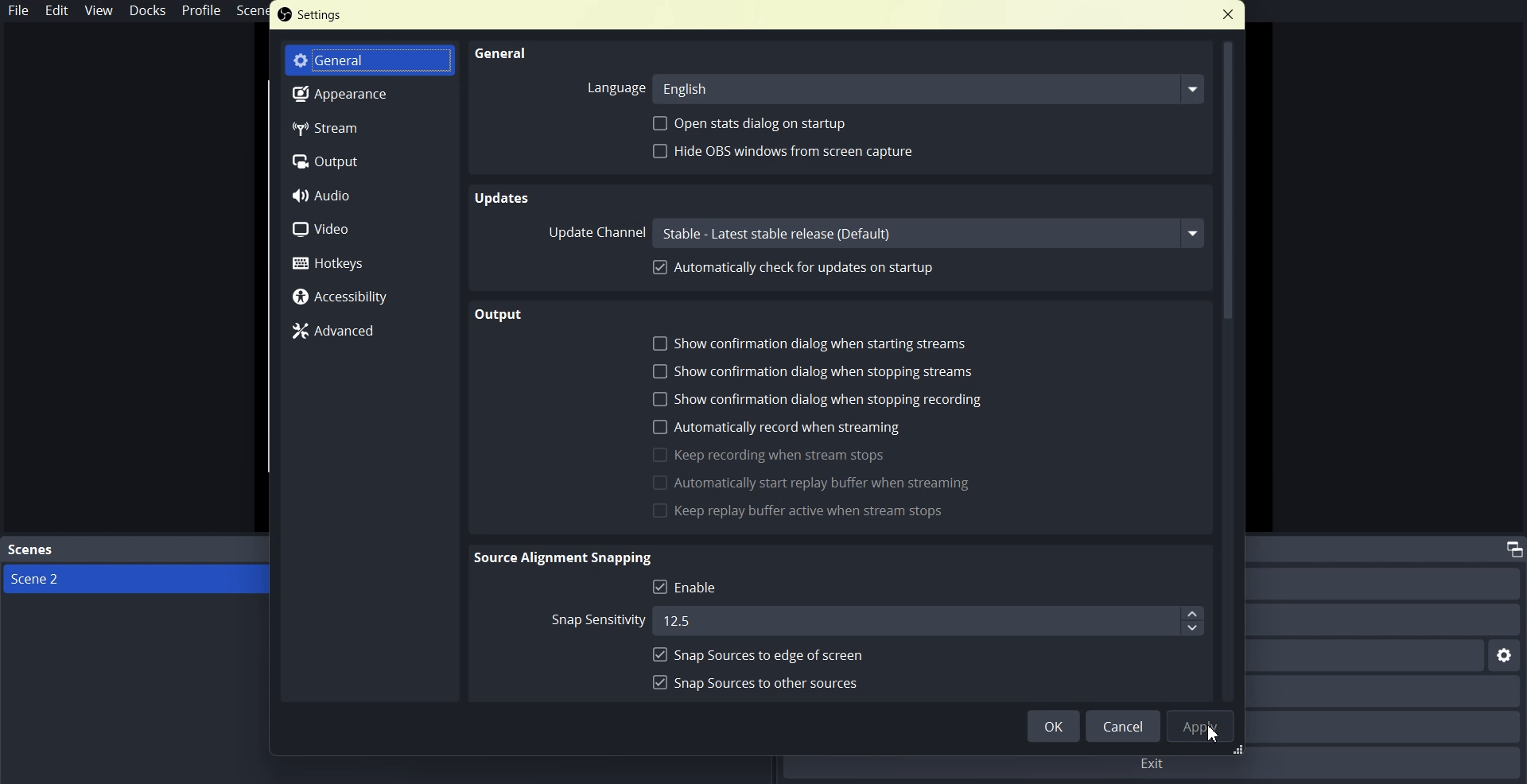  I want to click on Docks, so click(147, 10).